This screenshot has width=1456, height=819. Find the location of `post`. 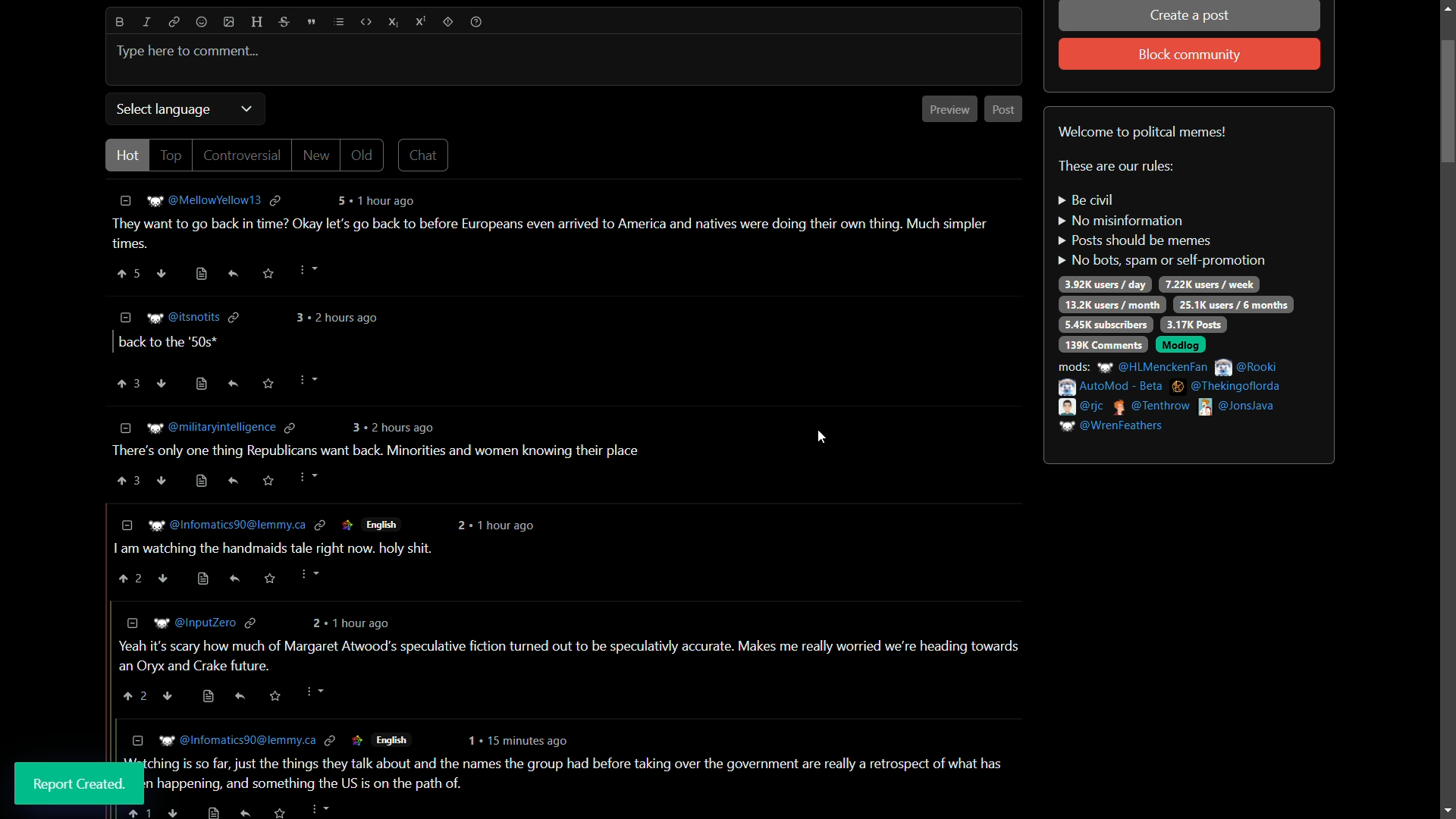

post is located at coordinates (1005, 110).